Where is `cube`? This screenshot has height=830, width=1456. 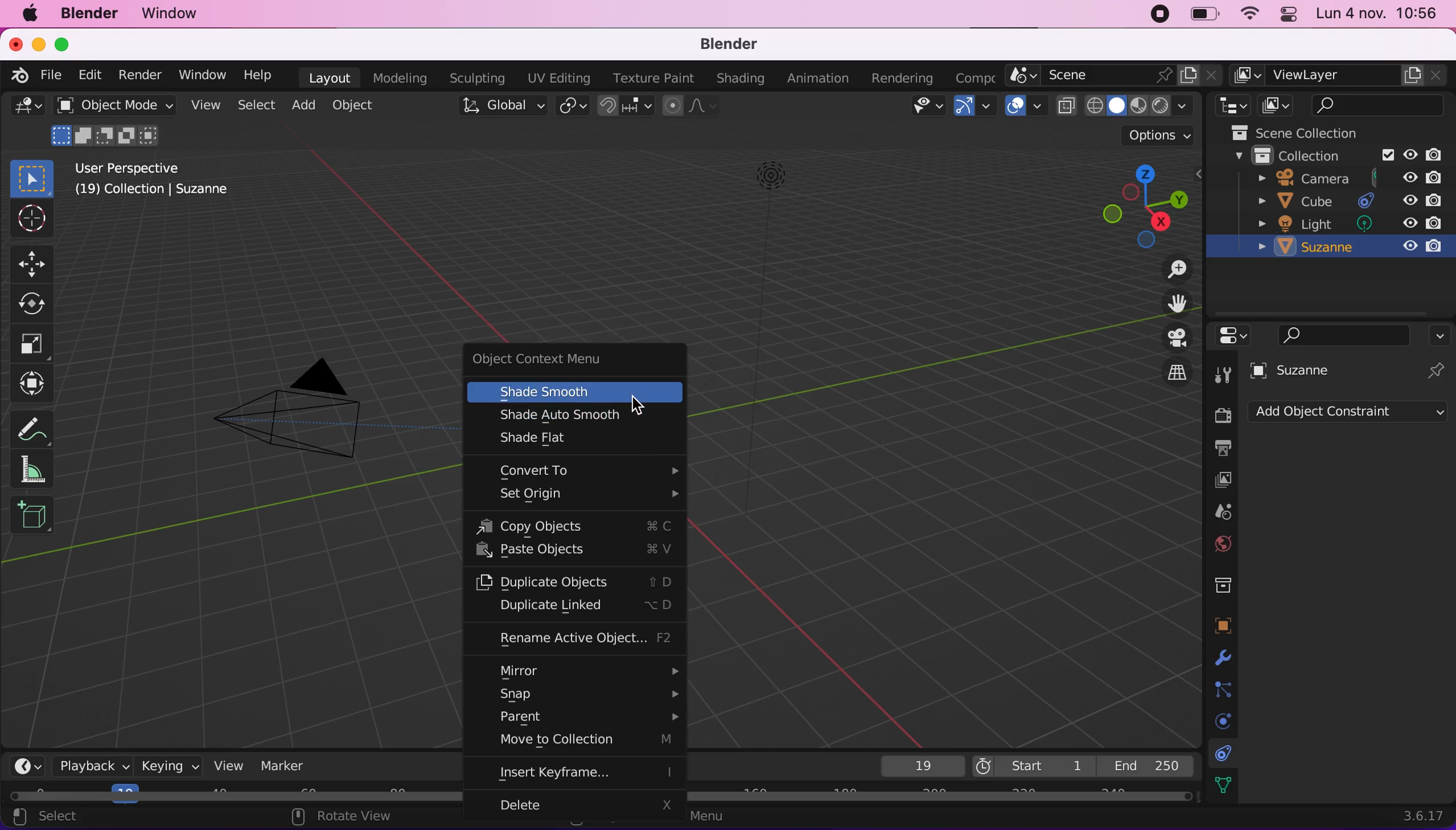 cube is located at coordinates (1347, 201).